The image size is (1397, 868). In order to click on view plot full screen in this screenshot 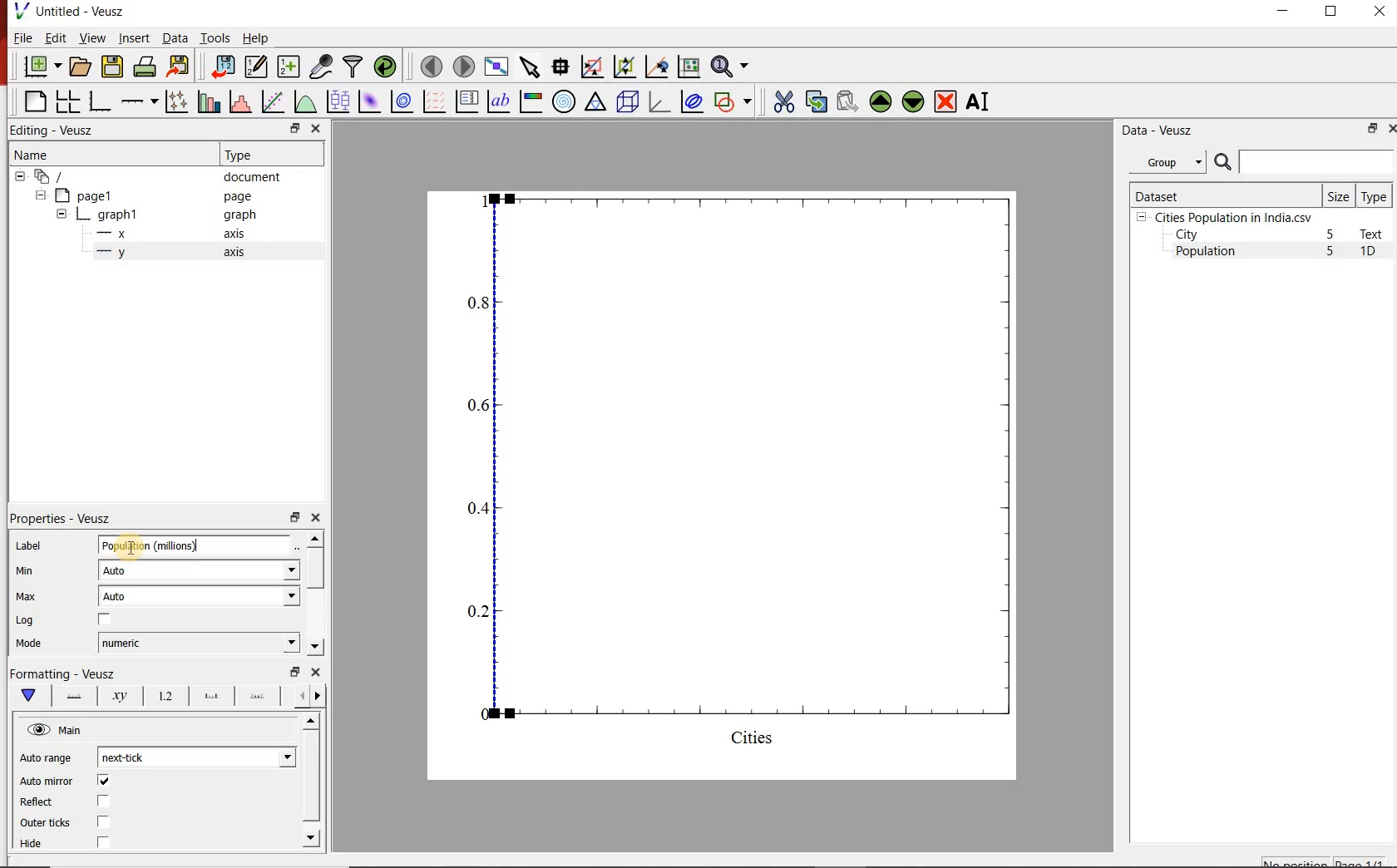, I will do `click(496, 67)`.